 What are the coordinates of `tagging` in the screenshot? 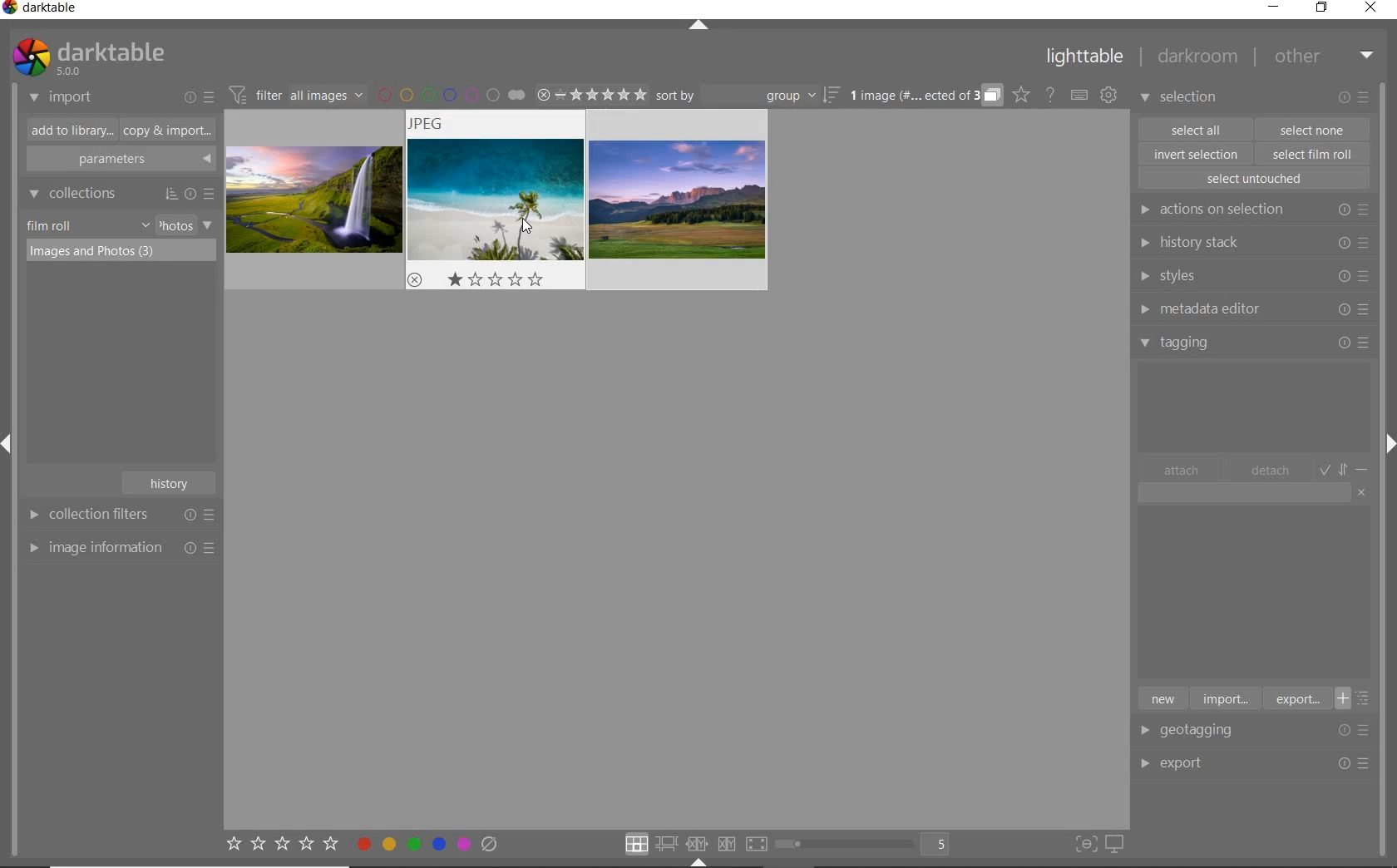 It's located at (1255, 342).